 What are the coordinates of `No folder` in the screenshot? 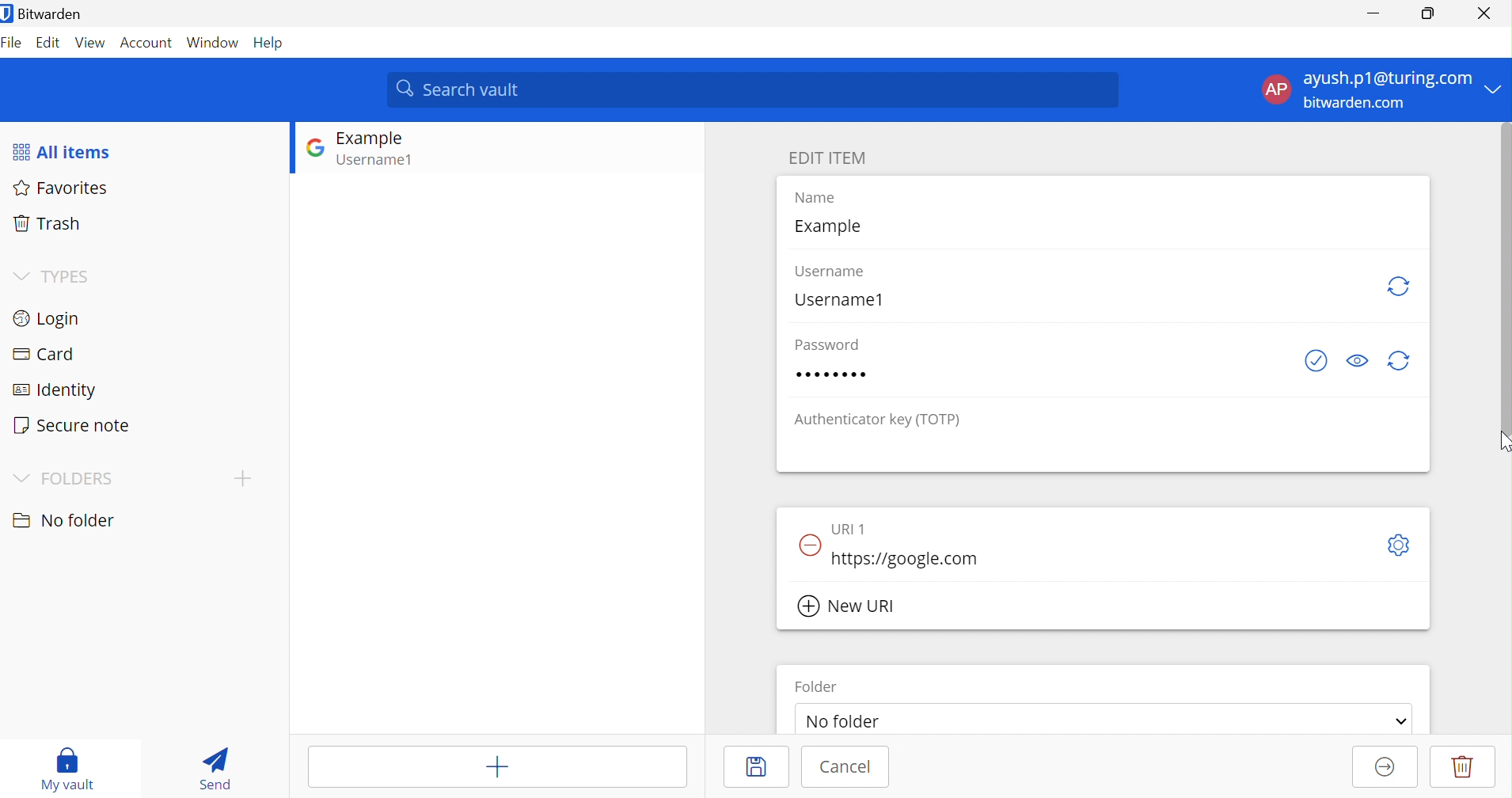 It's located at (62, 520).